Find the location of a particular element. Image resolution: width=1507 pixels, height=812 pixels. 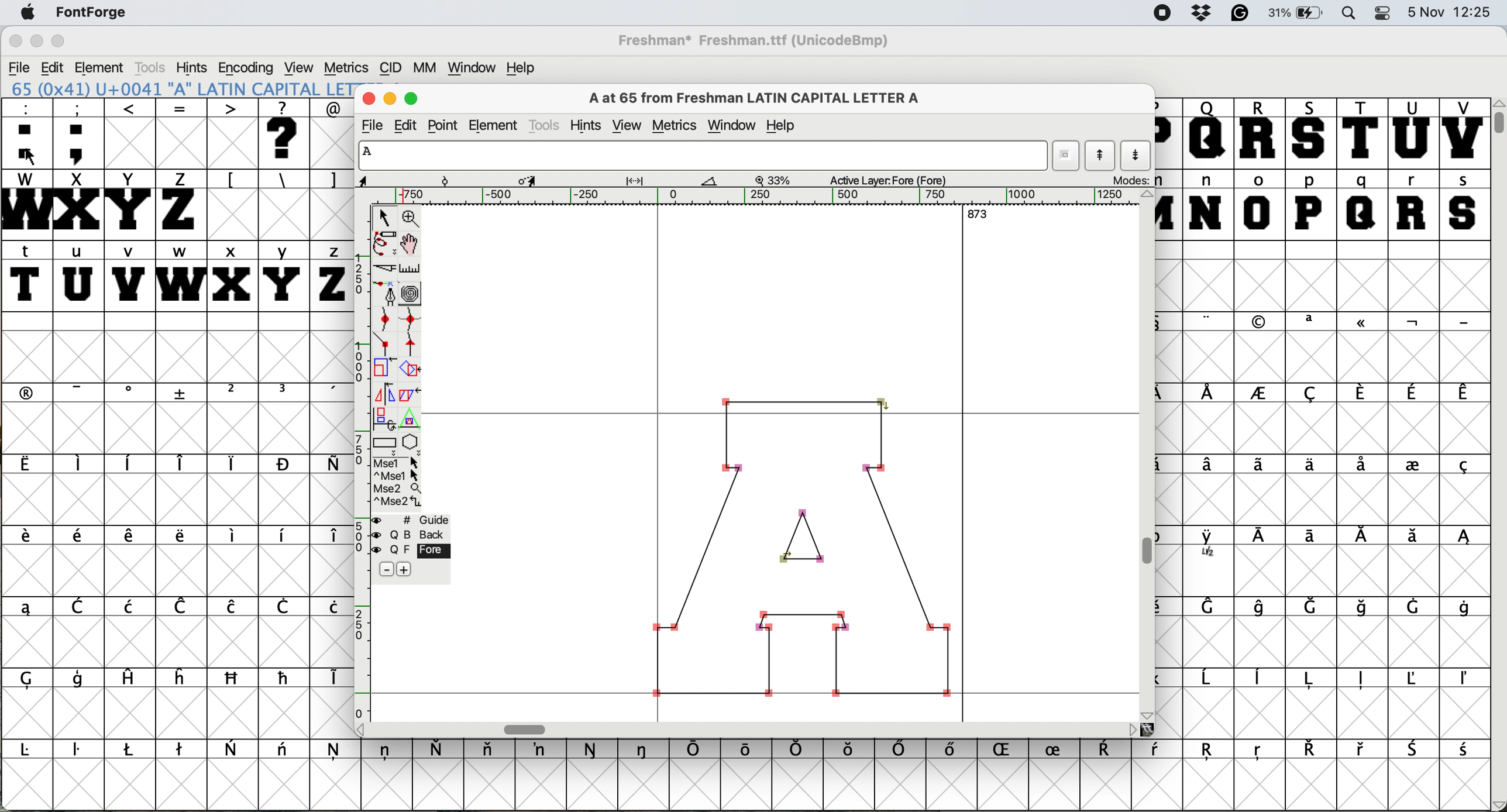

cut splines in two is located at coordinates (385, 267).